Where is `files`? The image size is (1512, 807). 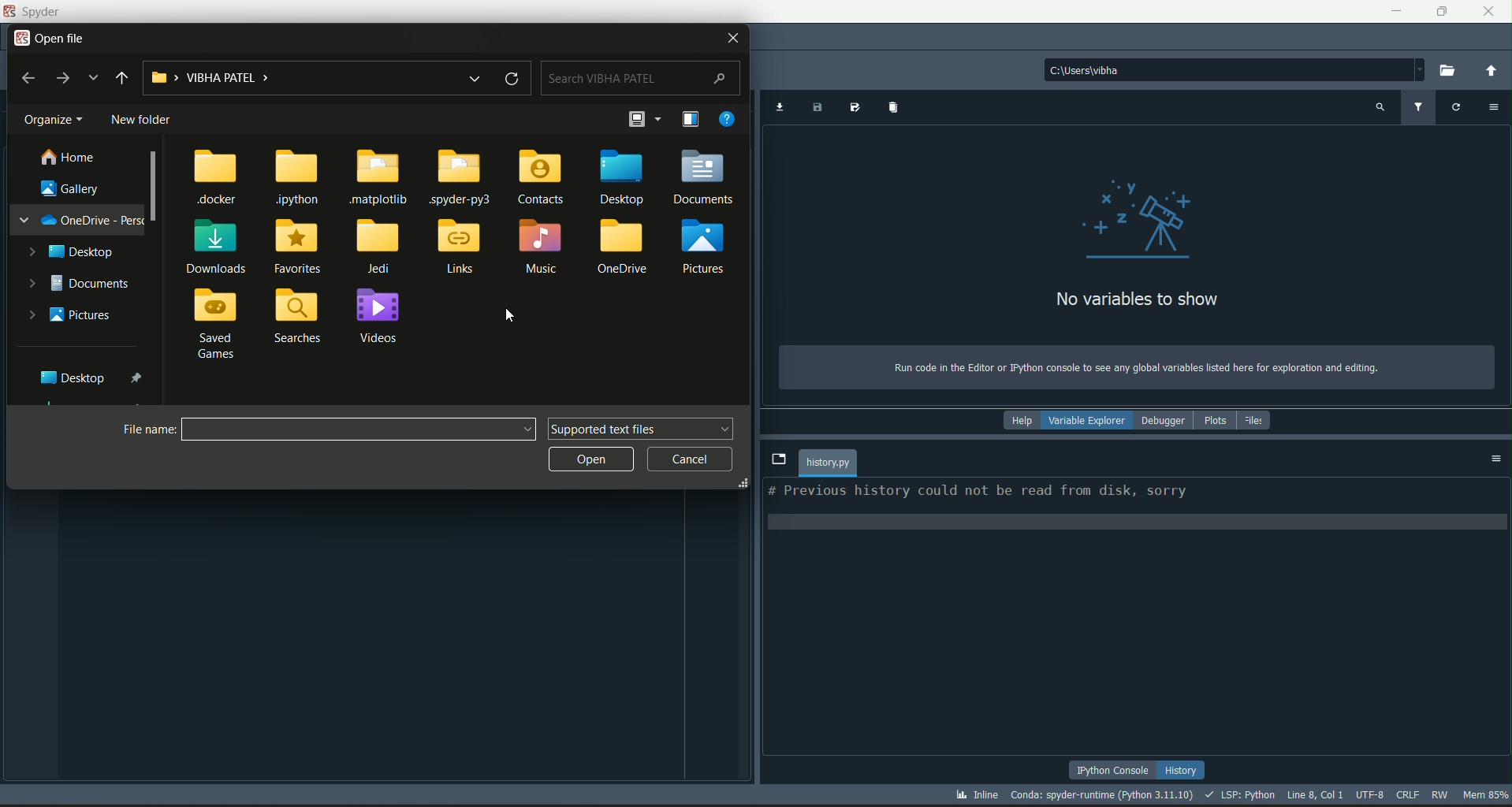 files is located at coordinates (1258, 419).